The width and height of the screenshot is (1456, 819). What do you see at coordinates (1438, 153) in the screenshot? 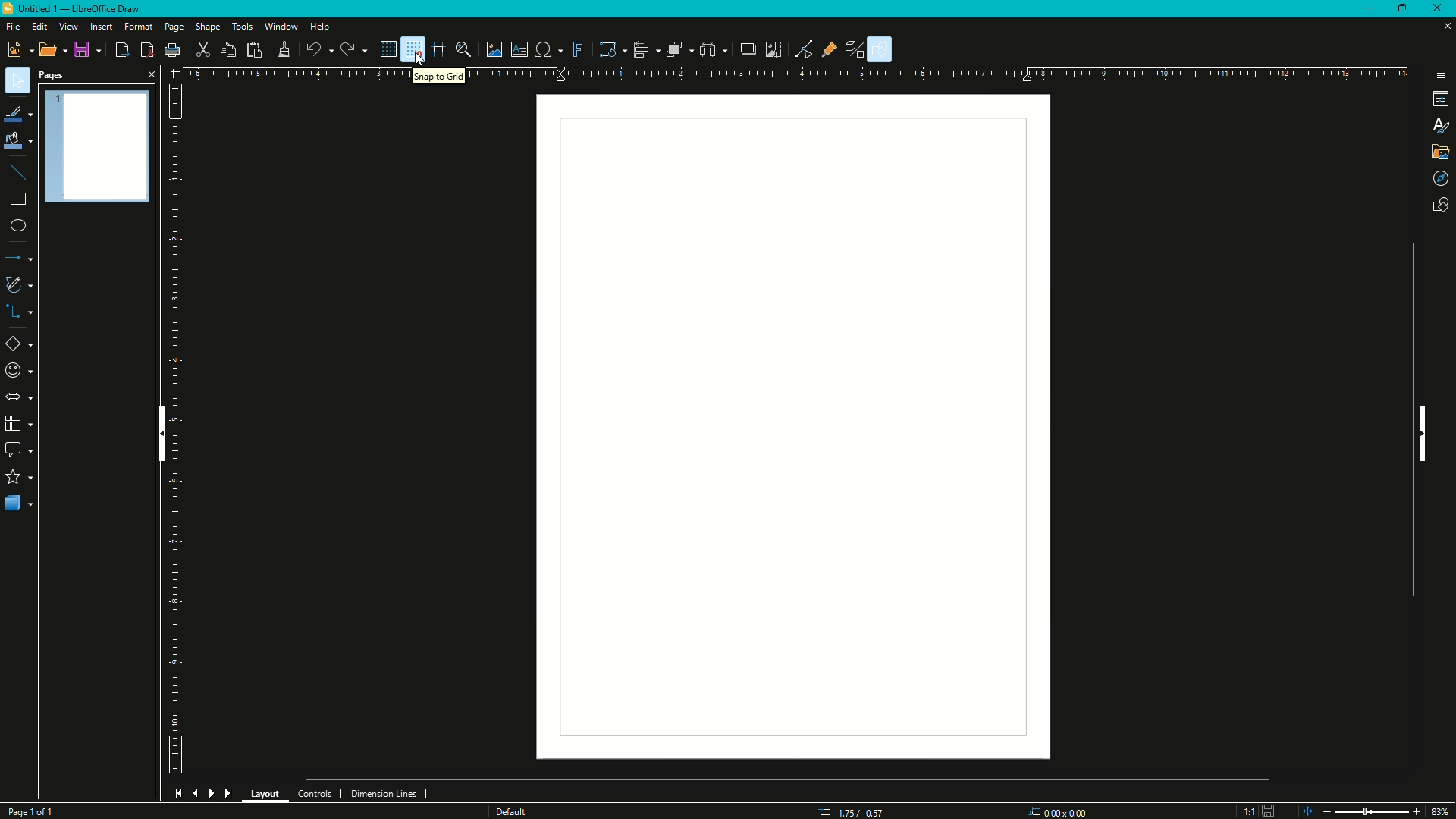
I see `Files` at bounding box center [1438, 153].